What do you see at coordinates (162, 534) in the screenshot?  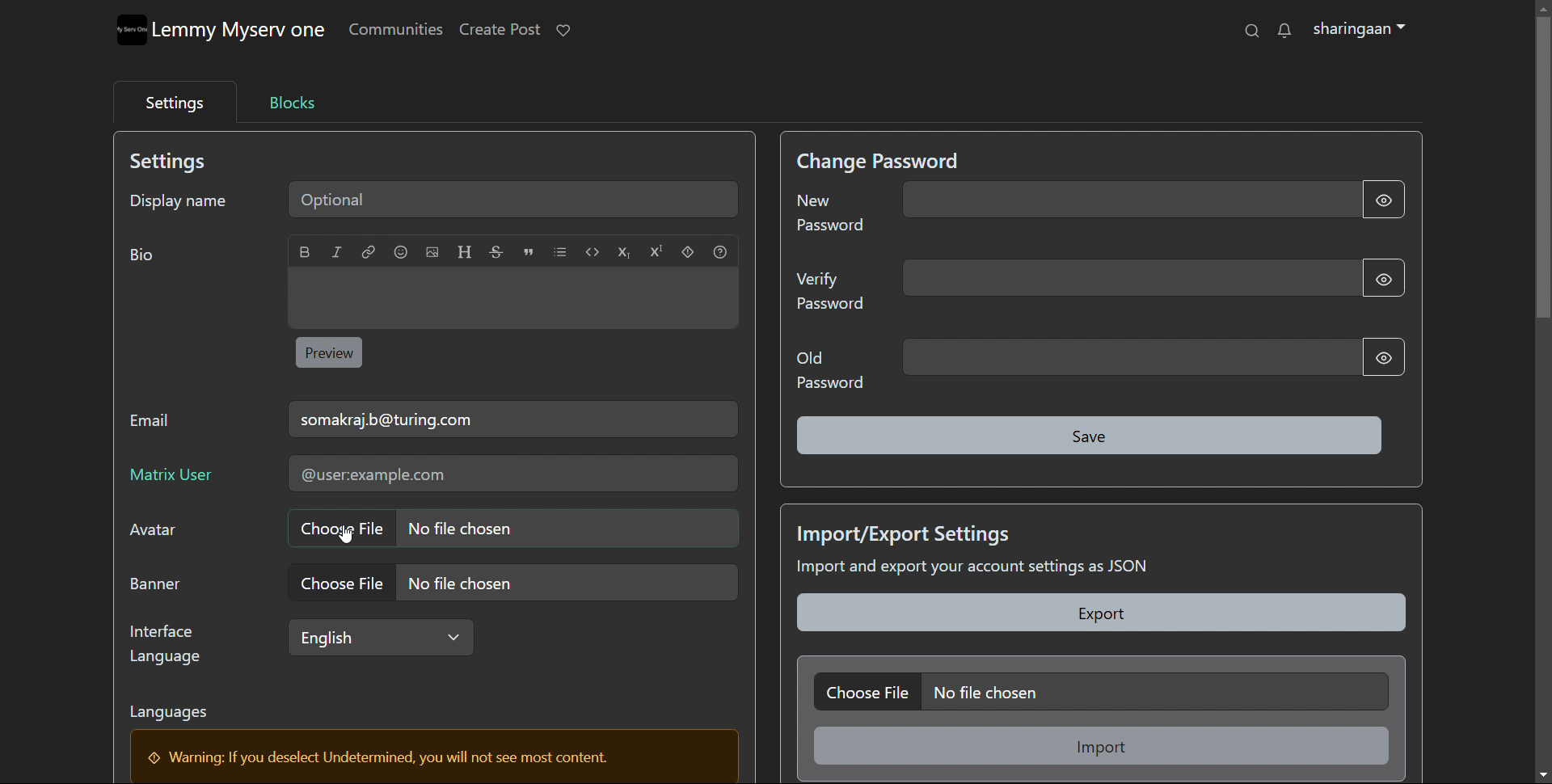 I see `Avatar` at bounding box center [162, 534].